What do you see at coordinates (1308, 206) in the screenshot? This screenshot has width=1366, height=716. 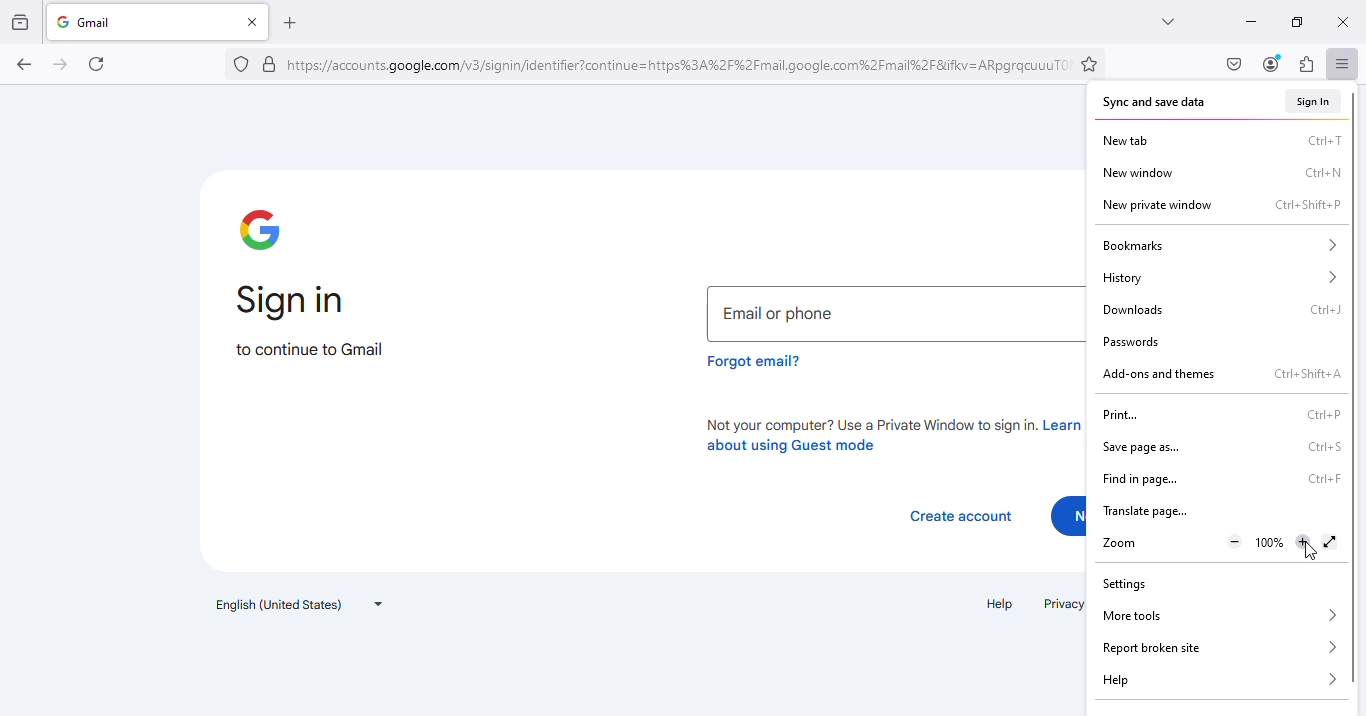 I see `shortcut for new private window` at bounding box center [1308, 206].